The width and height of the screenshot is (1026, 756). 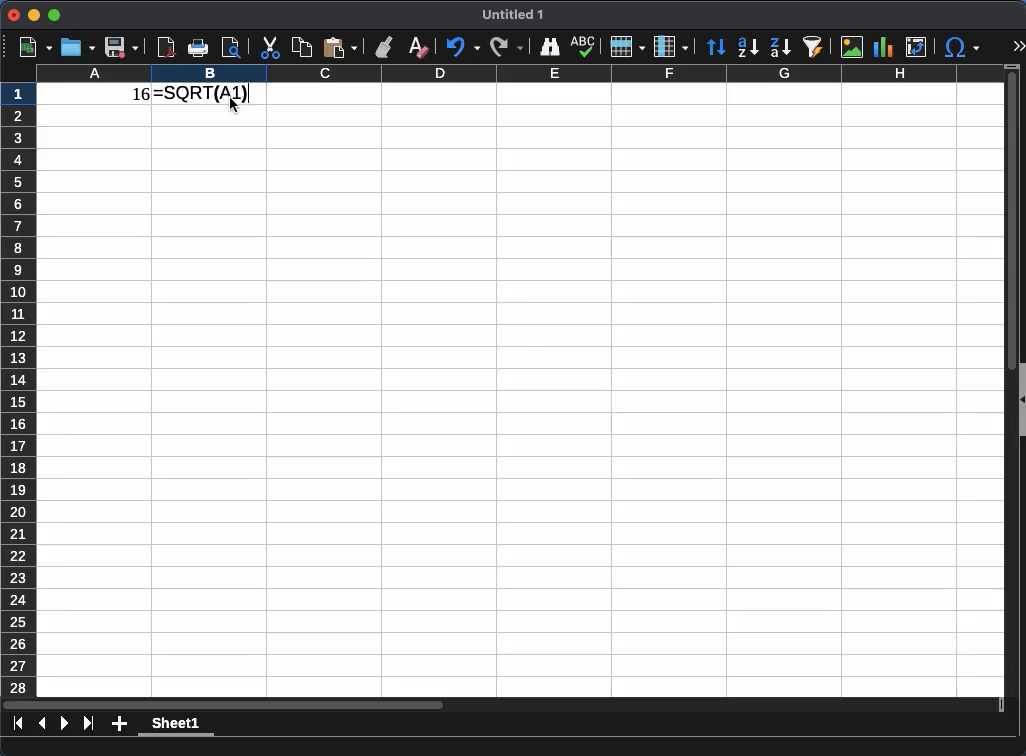 What do you see at coordinates (29, 47) in the screenshot?
I see `new` at bounding box center [29, 47].